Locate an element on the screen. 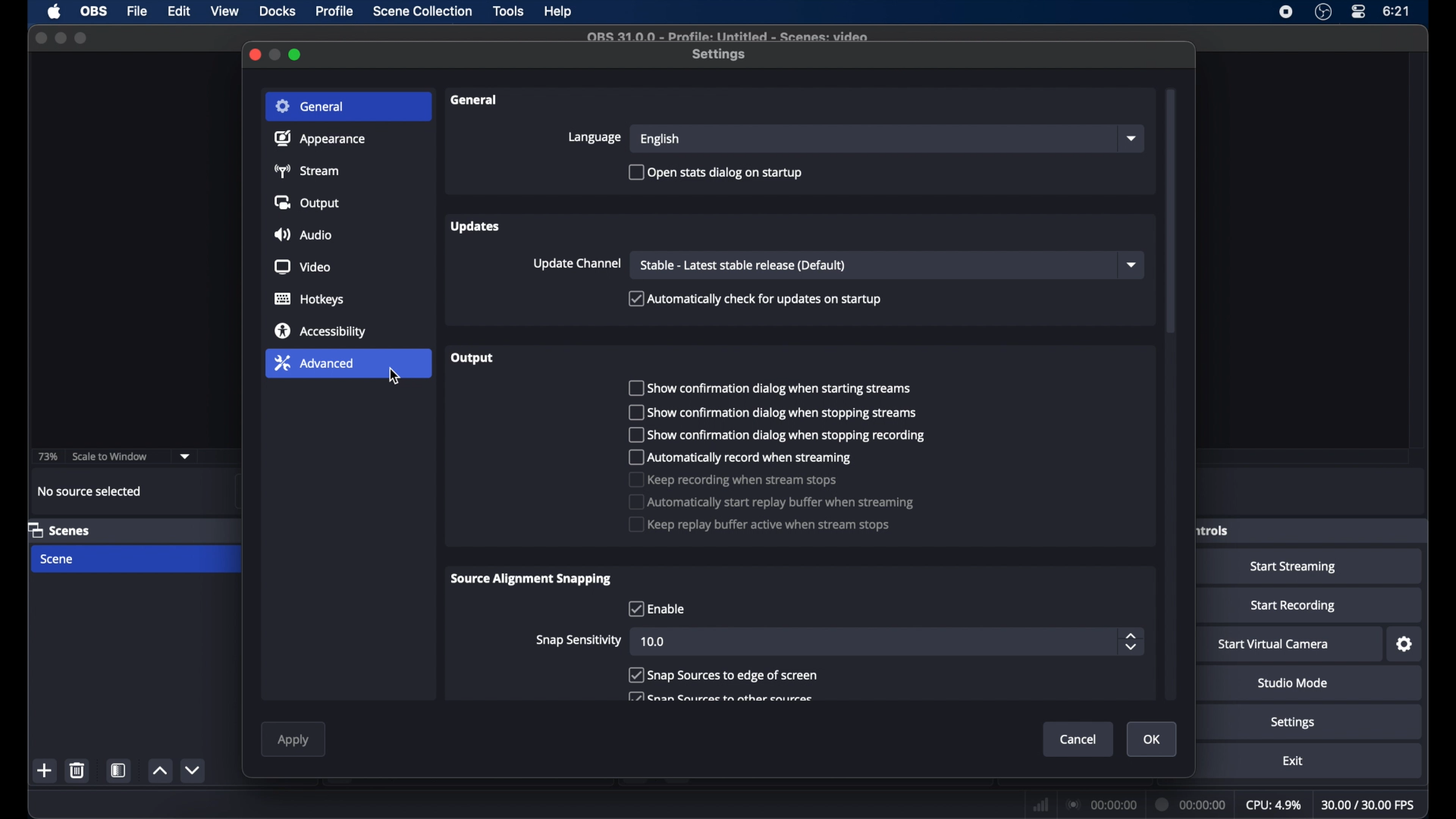 This screenshot has height=819, width=1456. apply is located at coordinates (293, 741).